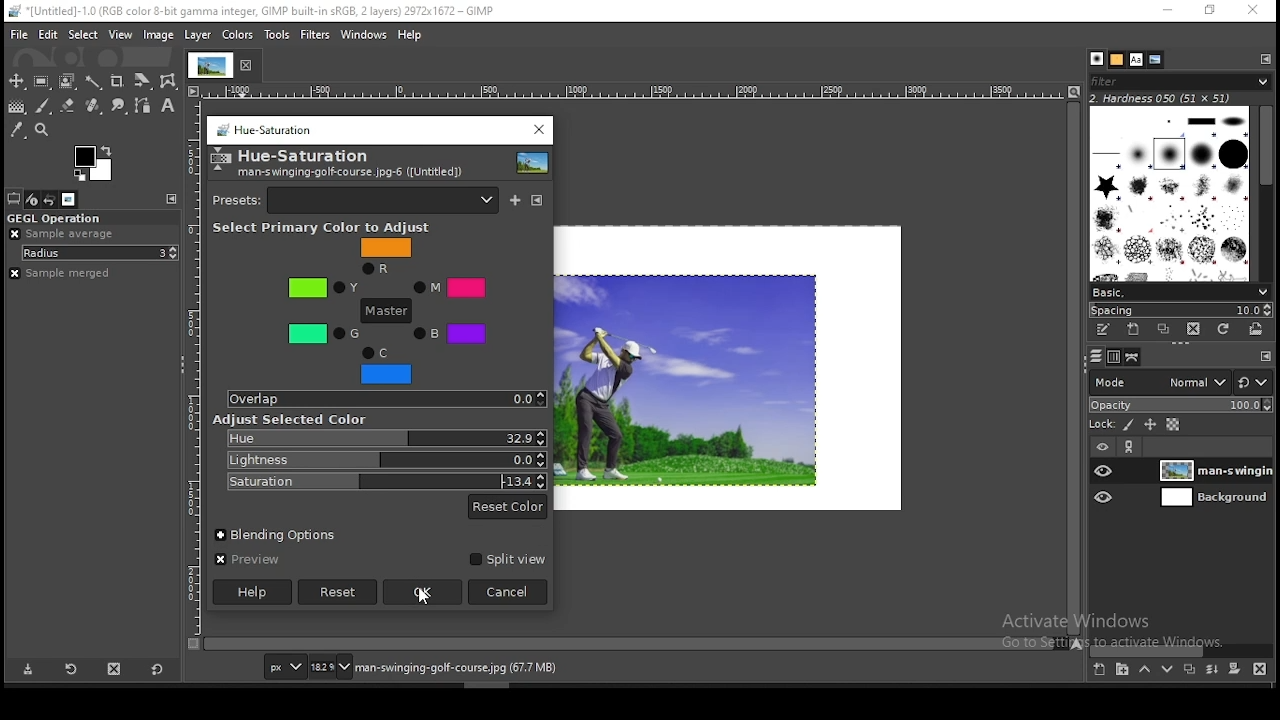 The height and width of the screenshot is (720, 1280). I want to click on layer visibility, so click(1101, 448).